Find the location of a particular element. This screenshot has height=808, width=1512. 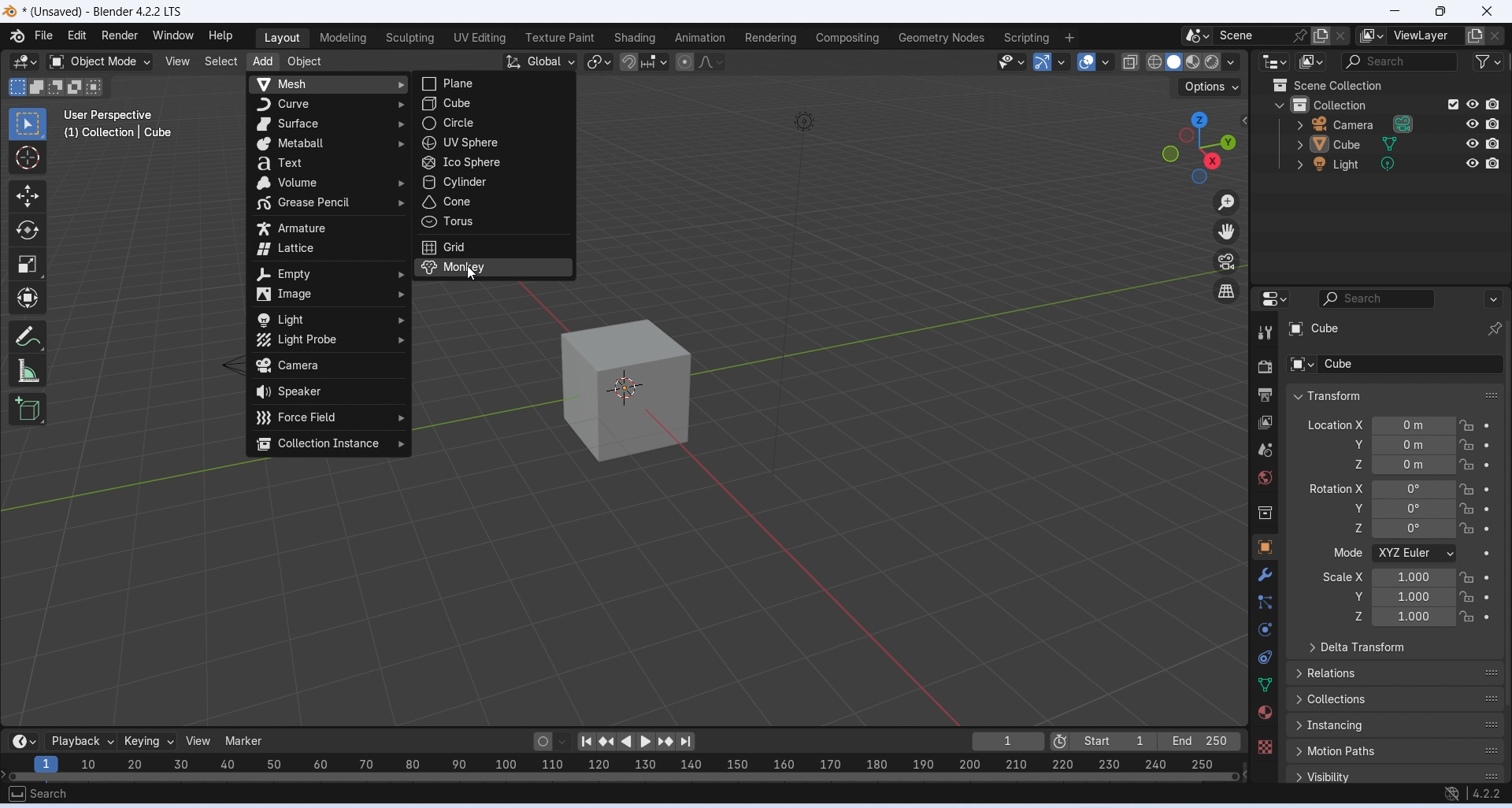

press space bar to search is located at coordinates (16, 793).